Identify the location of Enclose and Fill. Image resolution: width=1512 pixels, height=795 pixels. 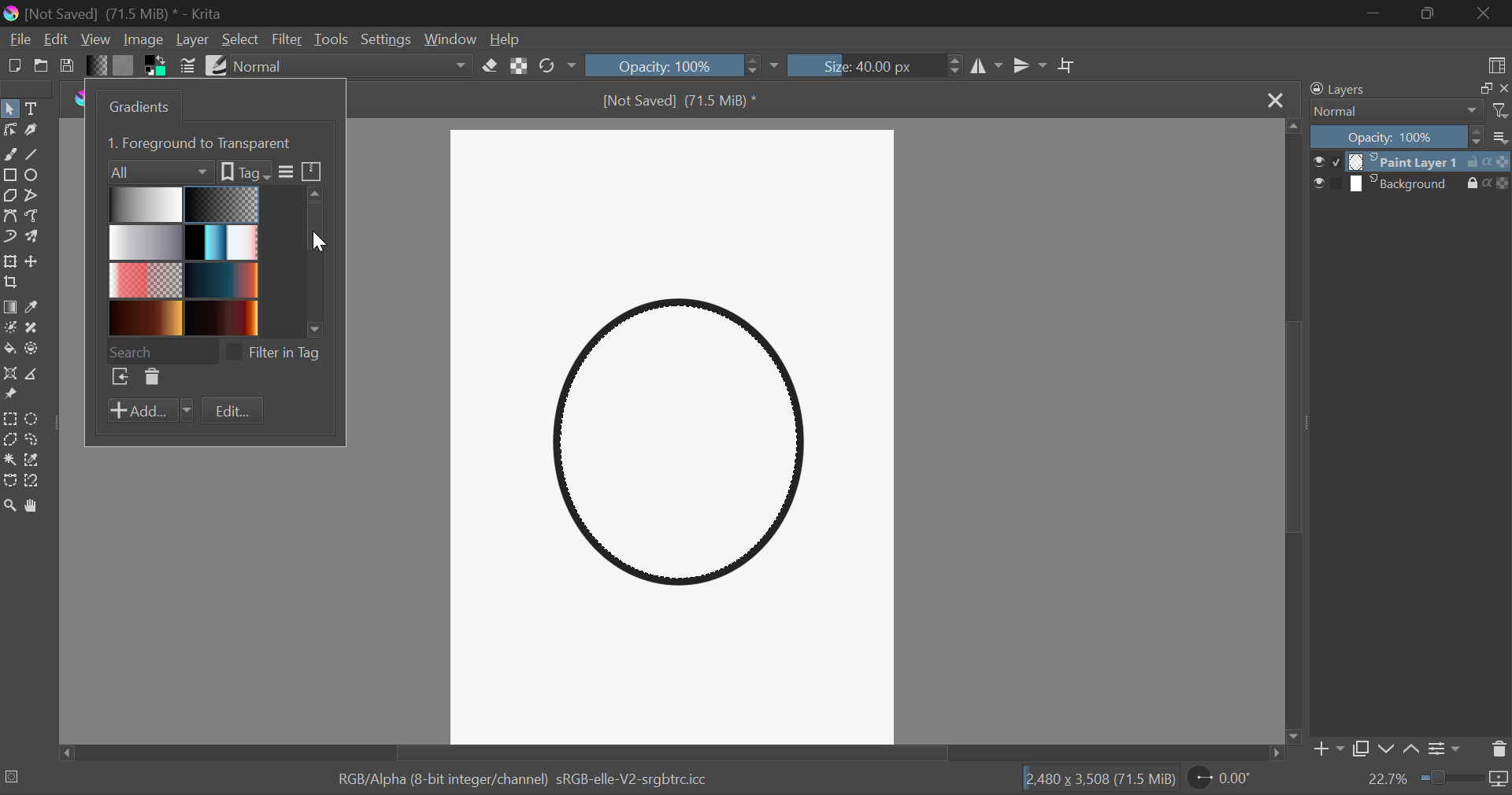
(37, 349).